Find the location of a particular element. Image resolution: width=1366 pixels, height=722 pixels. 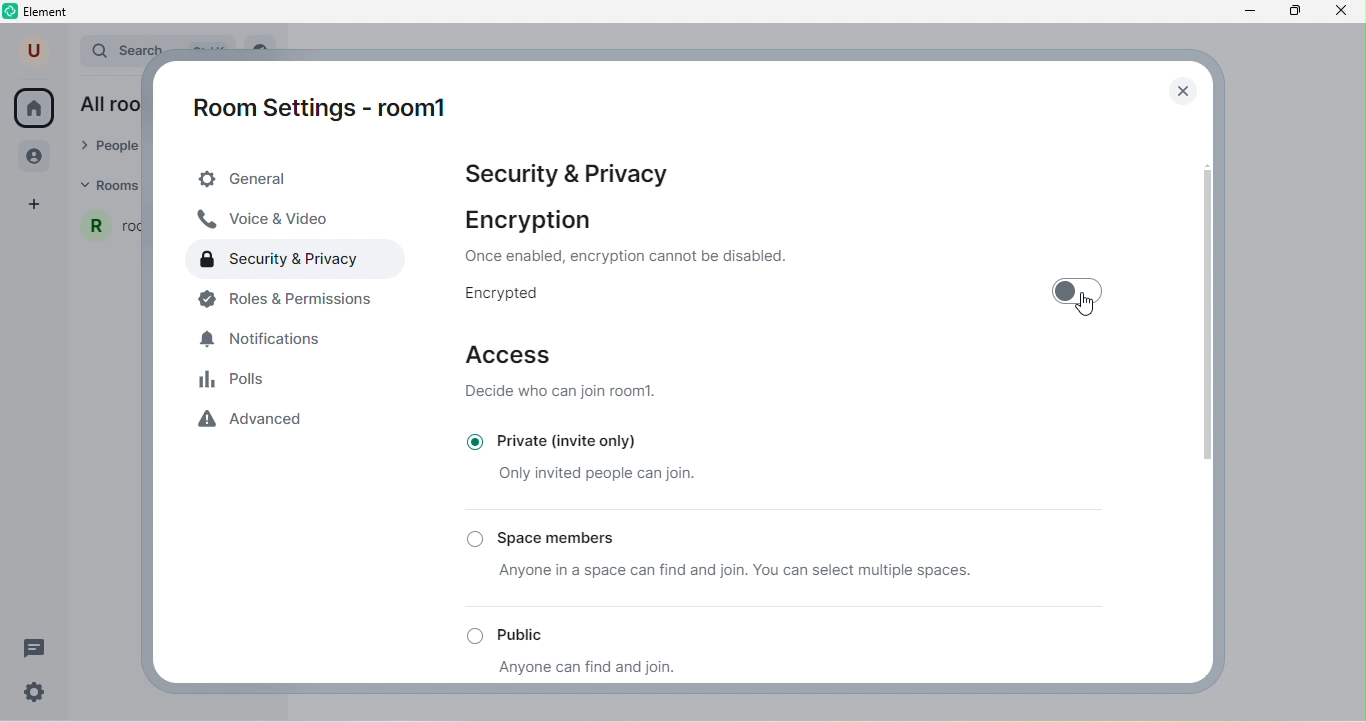

room1 settings is located at coordinates (333, 112).